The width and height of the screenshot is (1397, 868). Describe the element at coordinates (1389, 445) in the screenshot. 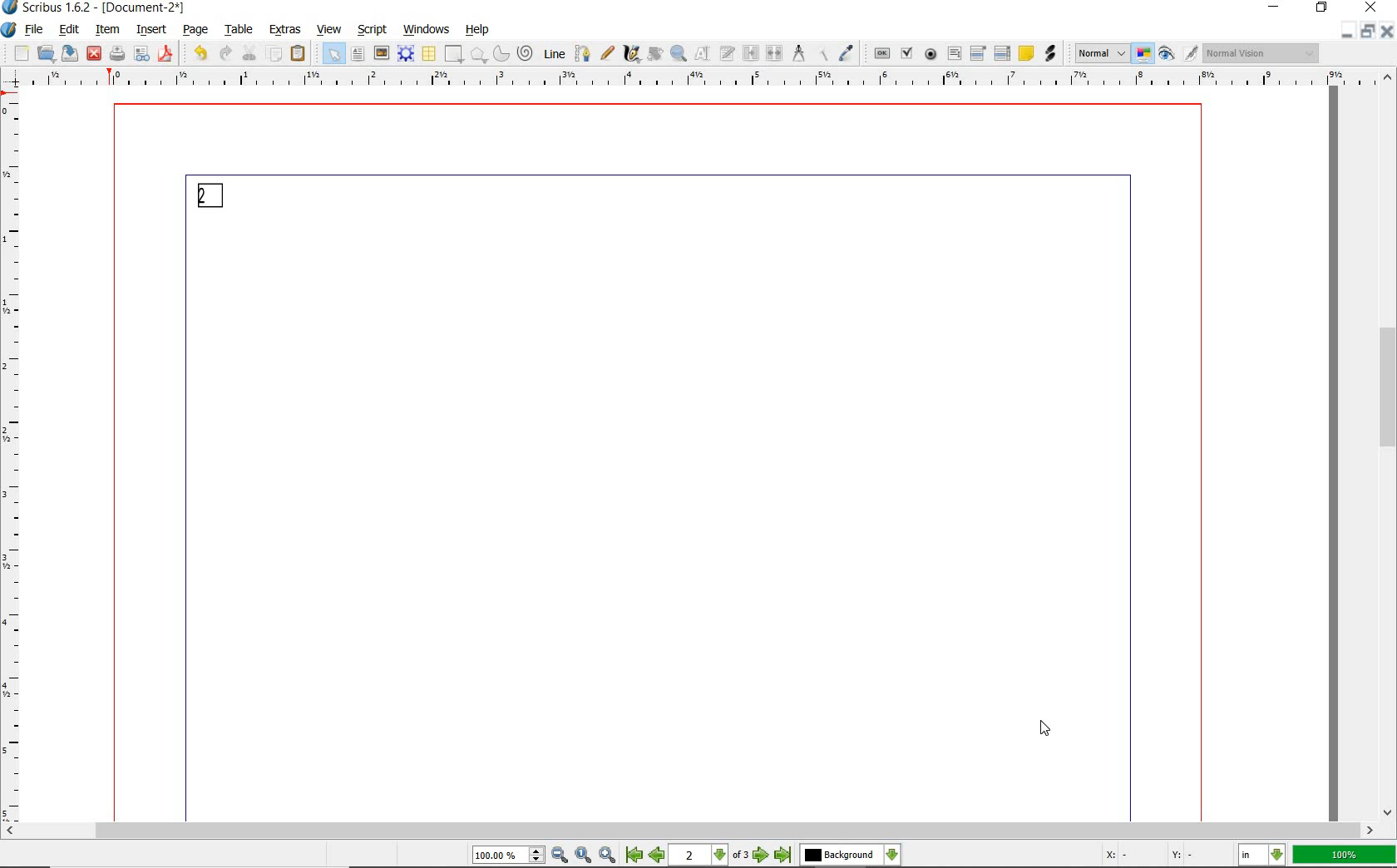

I see `scrollbar` at that location.